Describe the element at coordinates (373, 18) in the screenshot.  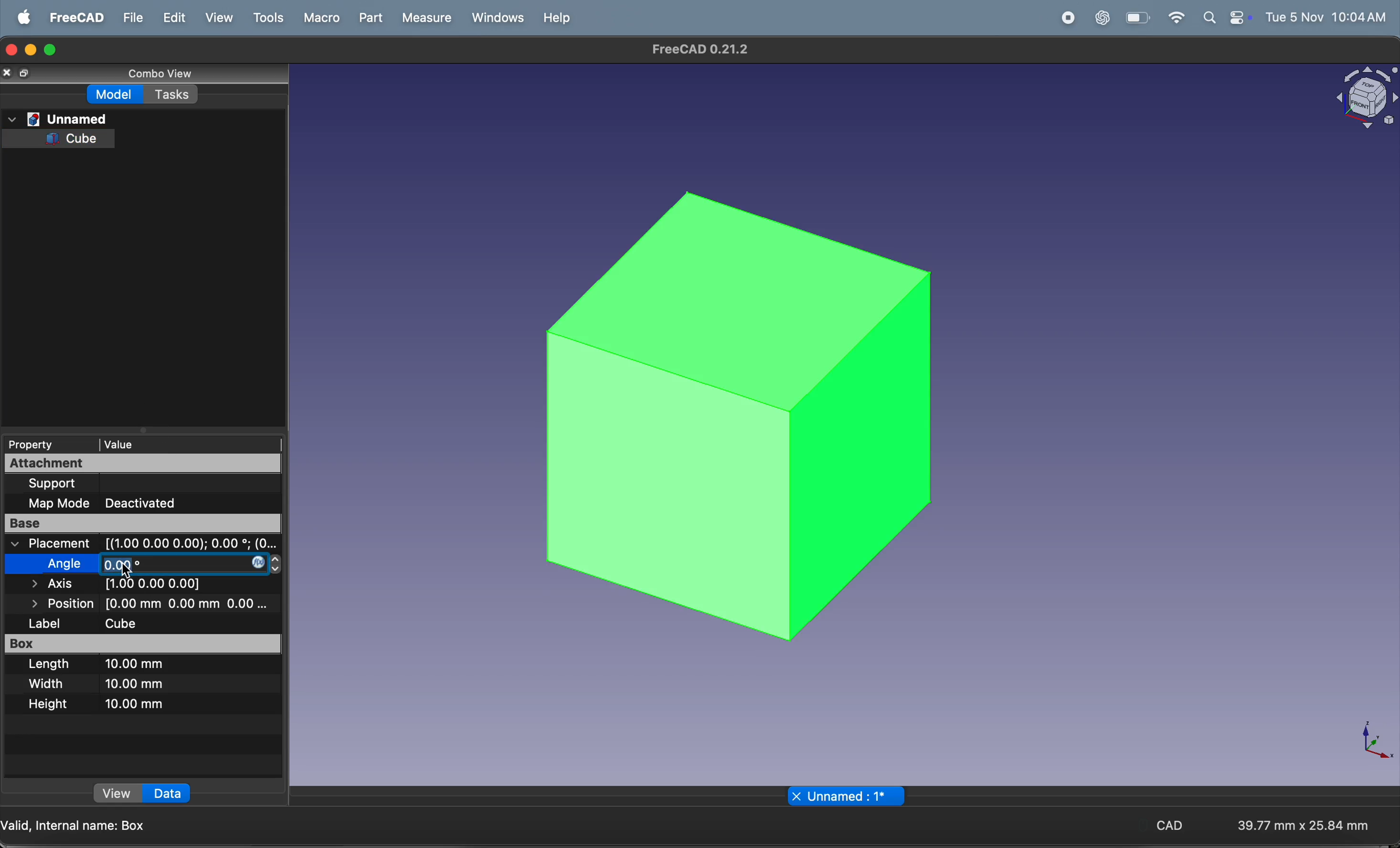
I see `part` at that location.